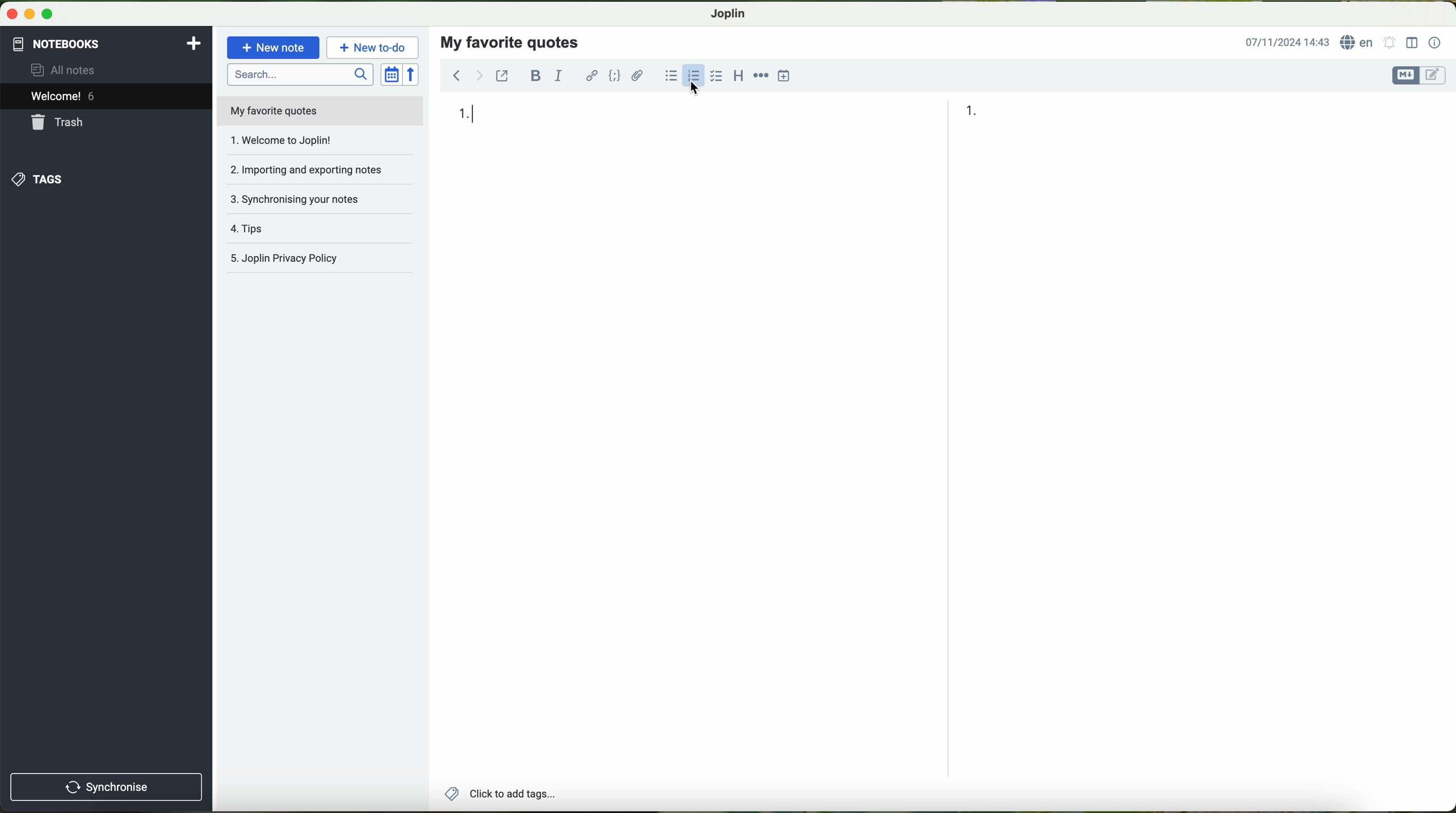  Describe the element at coordinates (315, 259) in the screenshot. I see `Joplin privacy policy` at that location.